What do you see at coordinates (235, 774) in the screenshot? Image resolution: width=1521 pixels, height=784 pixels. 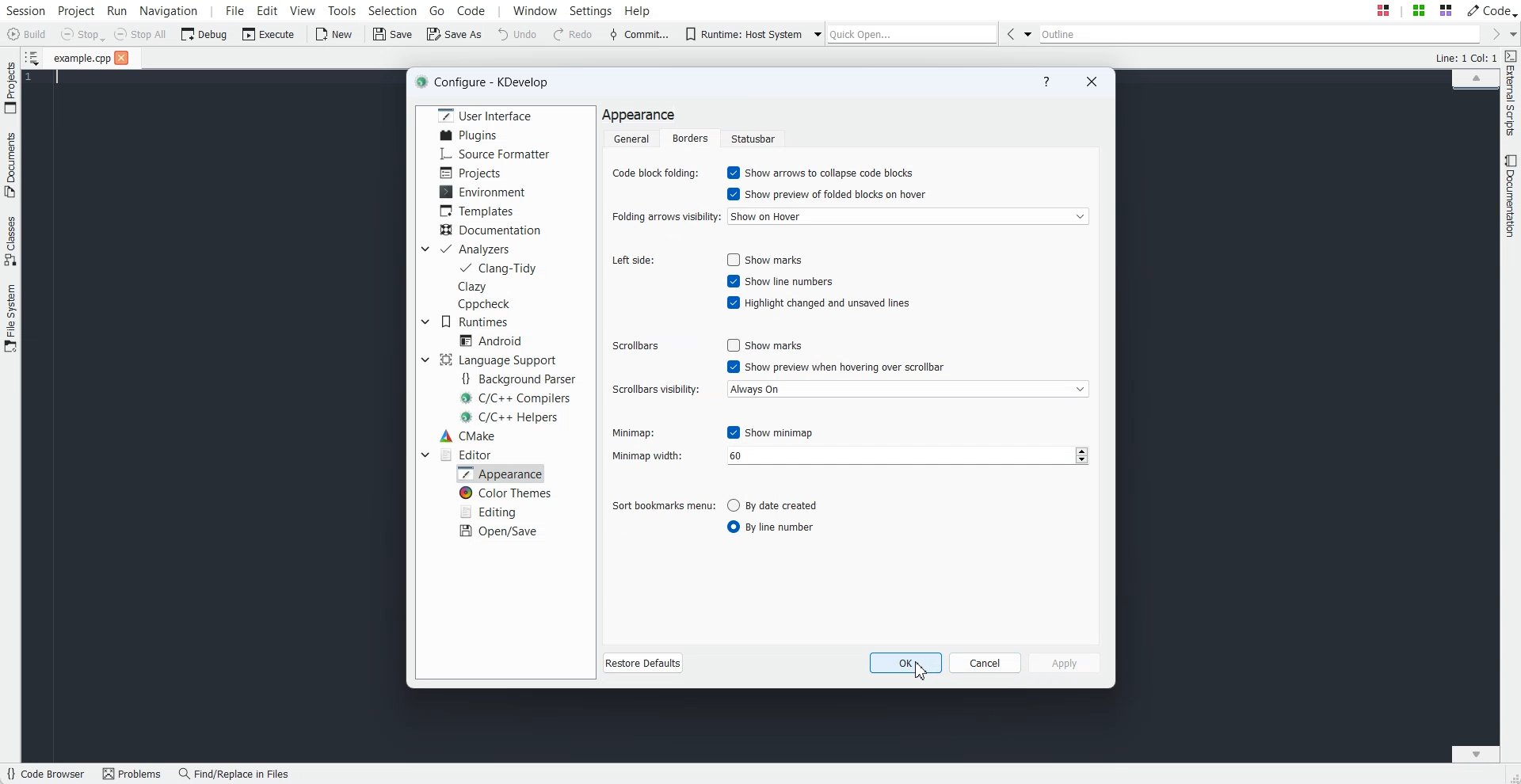 I see `Find/Replace in Files` at bounding box center [235, 774].